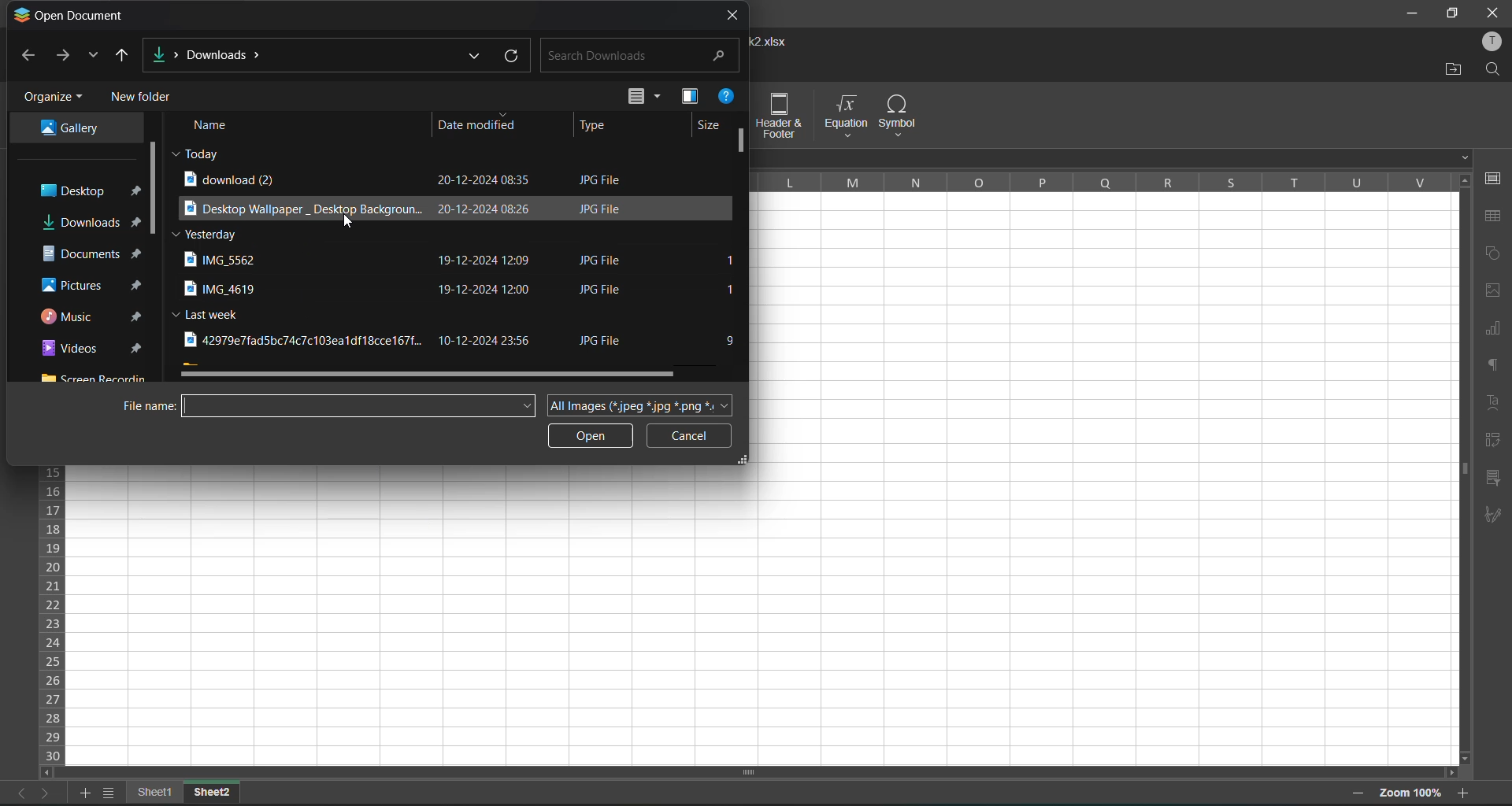 The height and width of the screenshot is (806, 1512). What do you see at coordinates (1495, 514) in the screenshot?
I see `signature` at bounding box center [1495, 514].